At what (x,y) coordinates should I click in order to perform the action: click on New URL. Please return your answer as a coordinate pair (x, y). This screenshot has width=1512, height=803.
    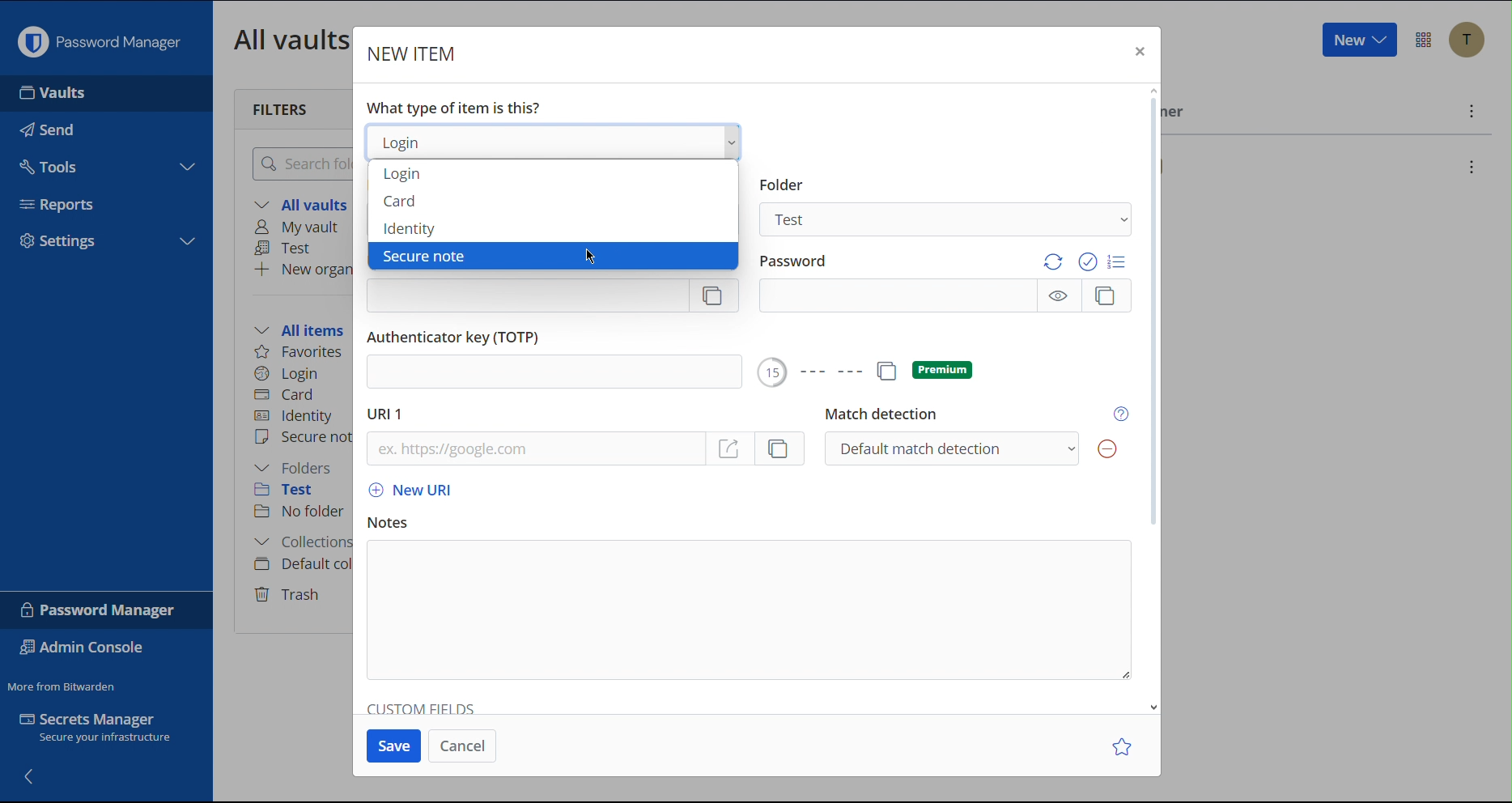
    Looking at the image, I should click on (407, 491).